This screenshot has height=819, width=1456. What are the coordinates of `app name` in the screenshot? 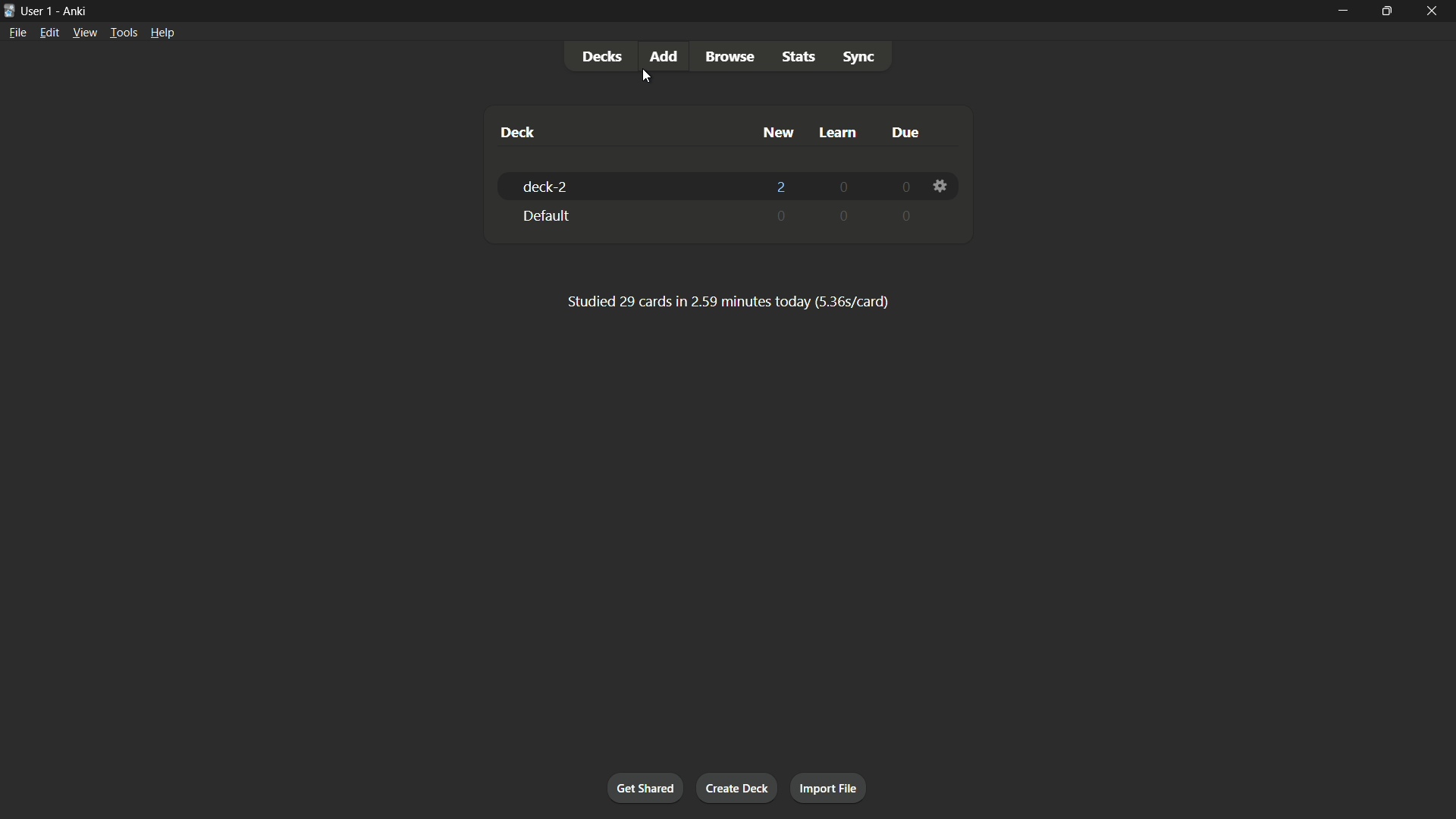 It's located at (74, 11).